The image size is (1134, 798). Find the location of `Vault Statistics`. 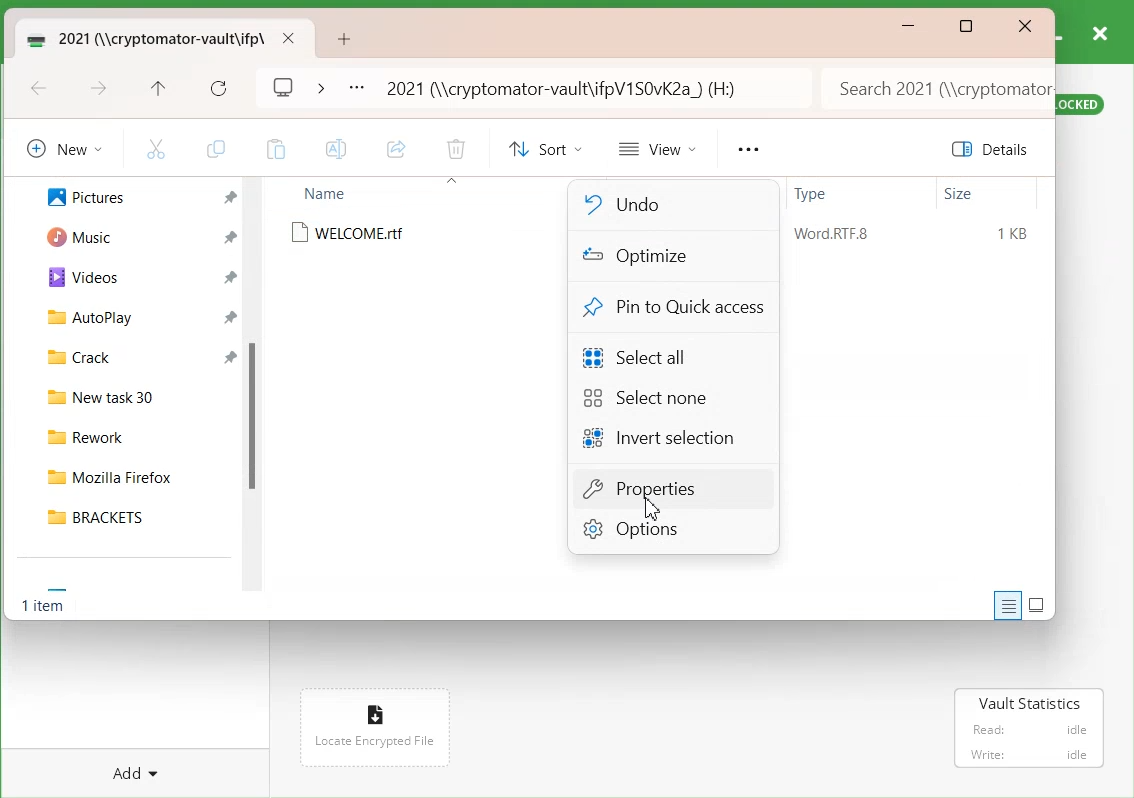

Vault Statistics is located at coordinates (1026, 699).